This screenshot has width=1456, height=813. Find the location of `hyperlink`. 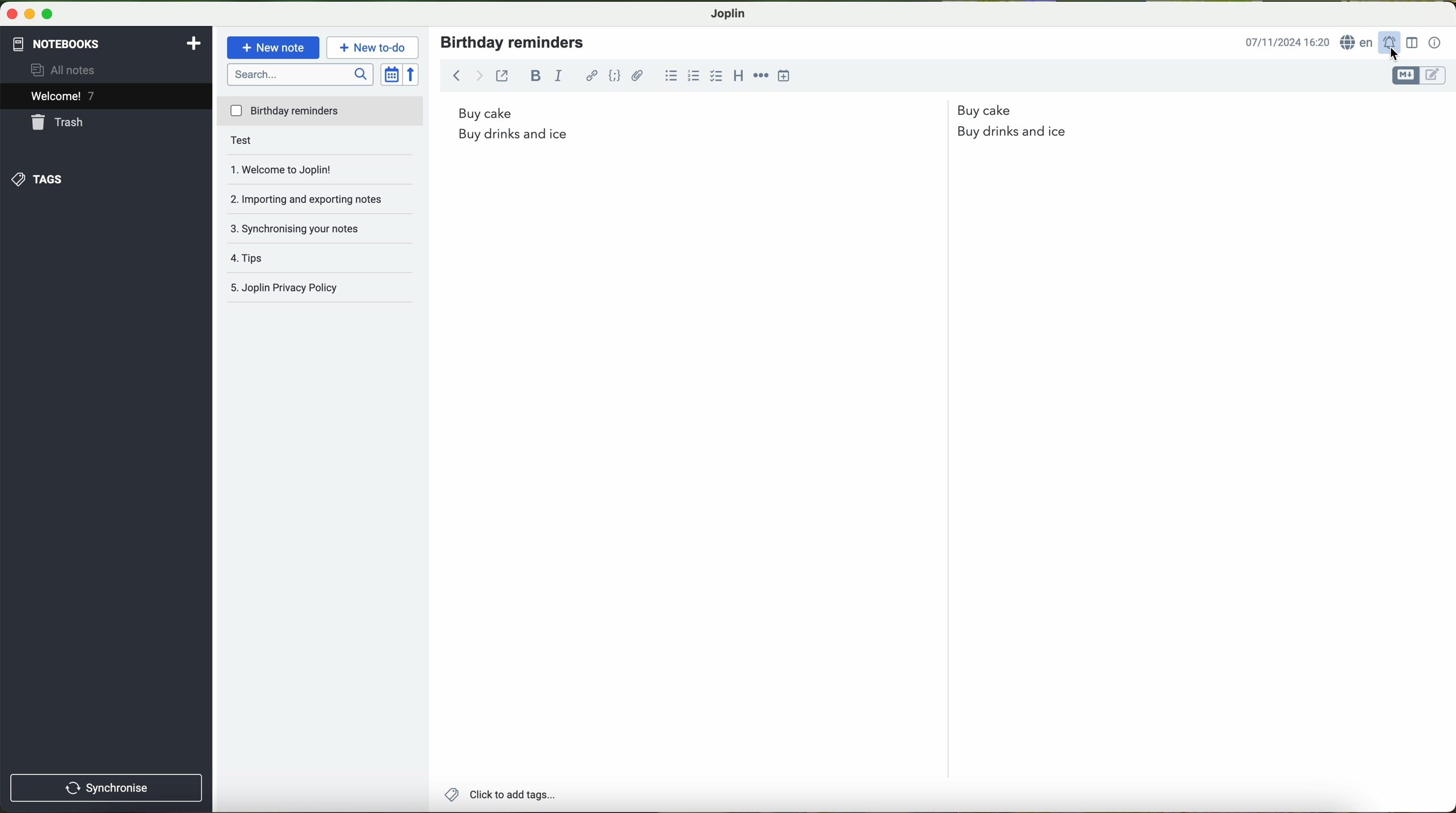

hyperlink is located at coordinates (589, 76).